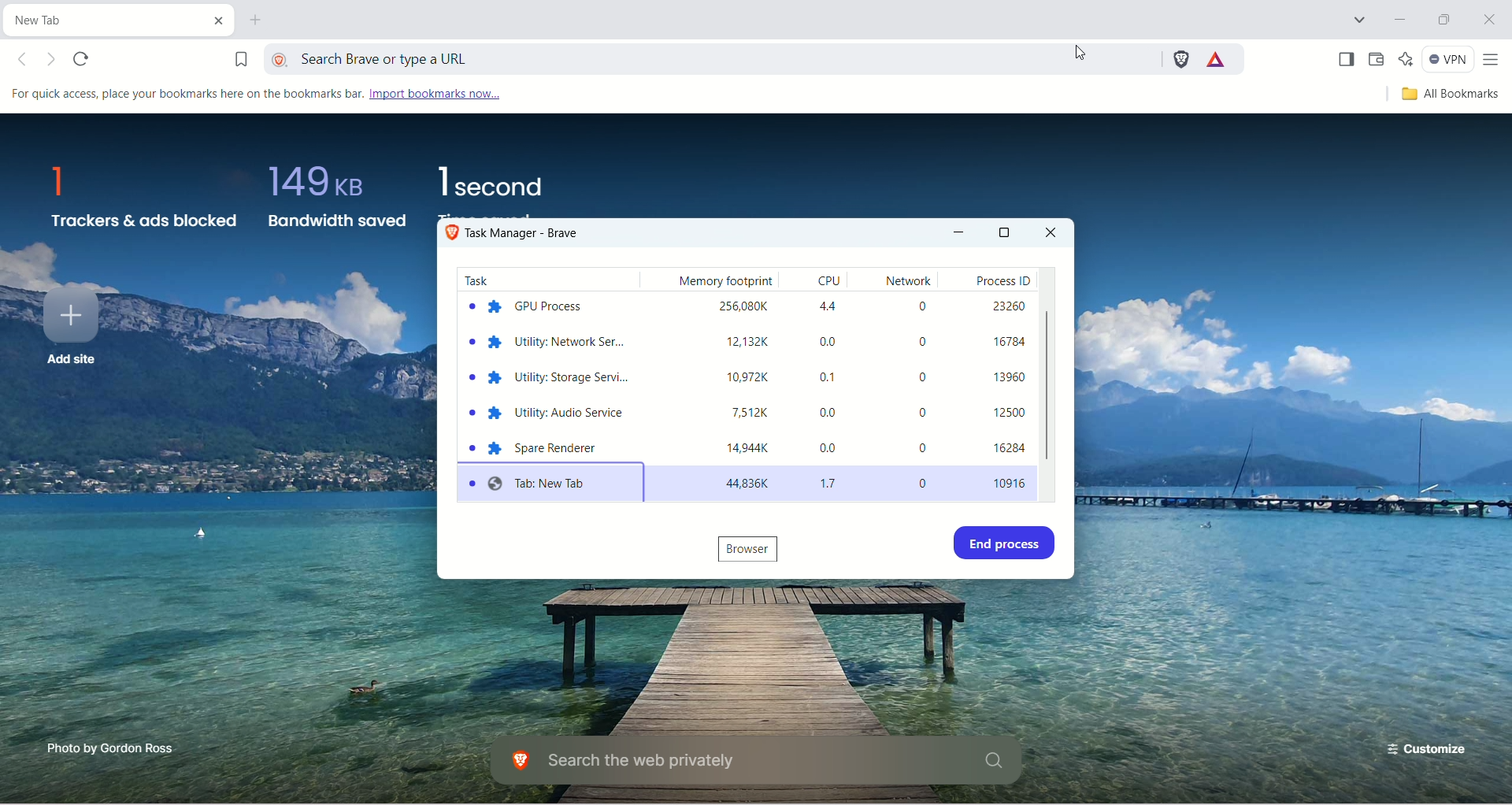 The image size is (1512, 805). I want to click on current tab, so click(98, 20).